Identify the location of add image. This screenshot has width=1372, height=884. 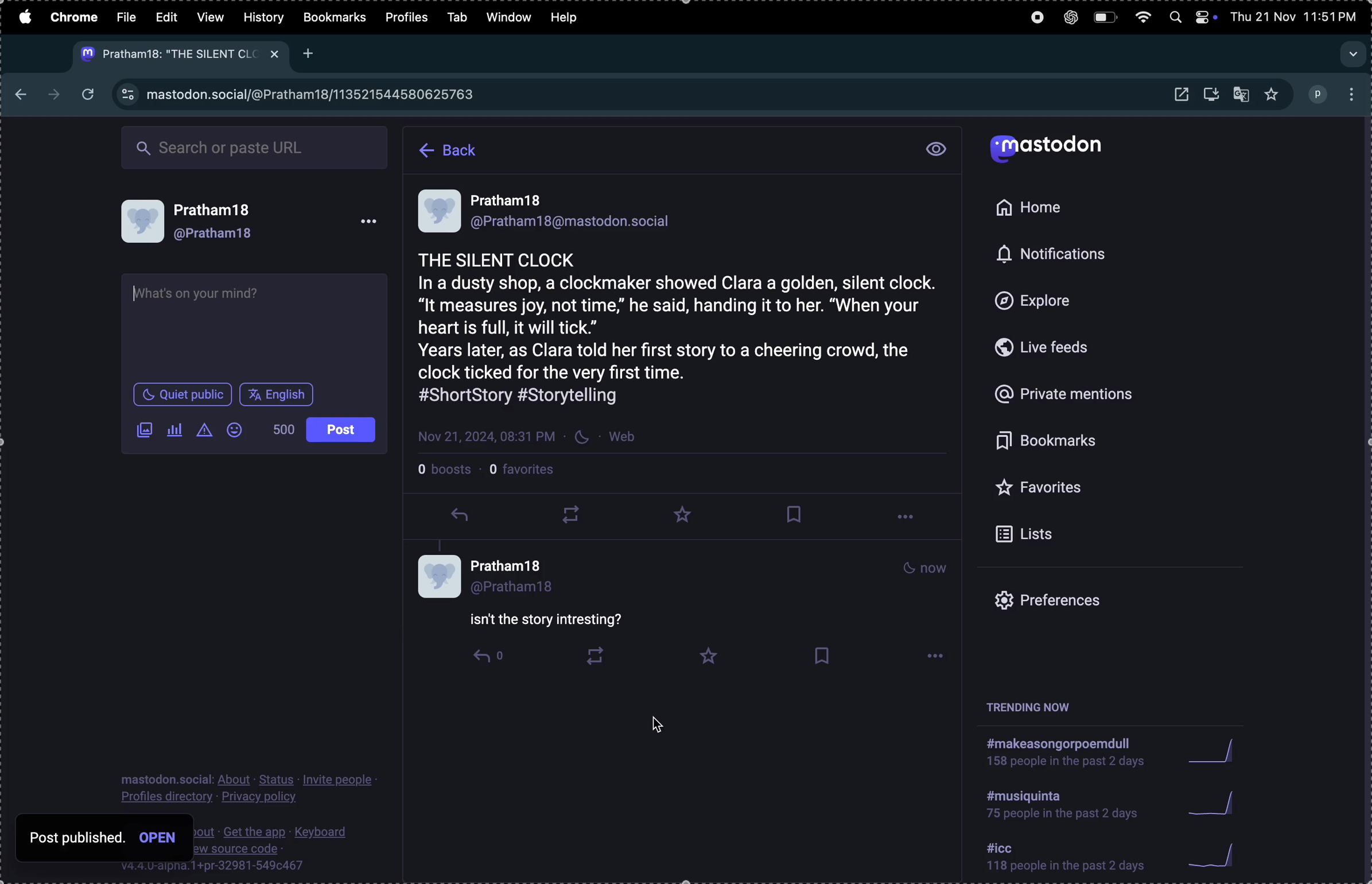
(142, 435).